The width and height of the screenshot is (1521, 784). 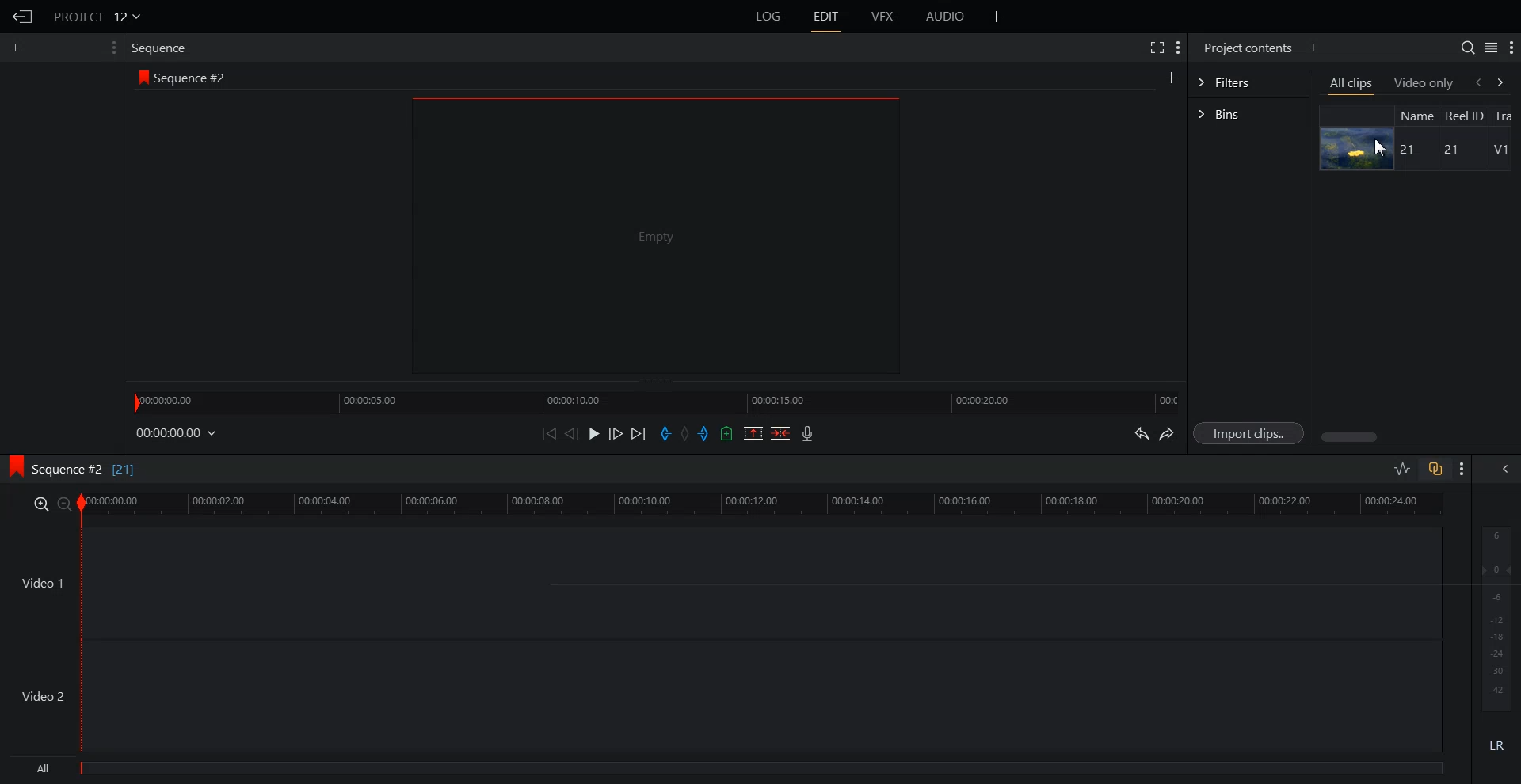 I want to click on Show all audio track, so click(x=1506, y=469).